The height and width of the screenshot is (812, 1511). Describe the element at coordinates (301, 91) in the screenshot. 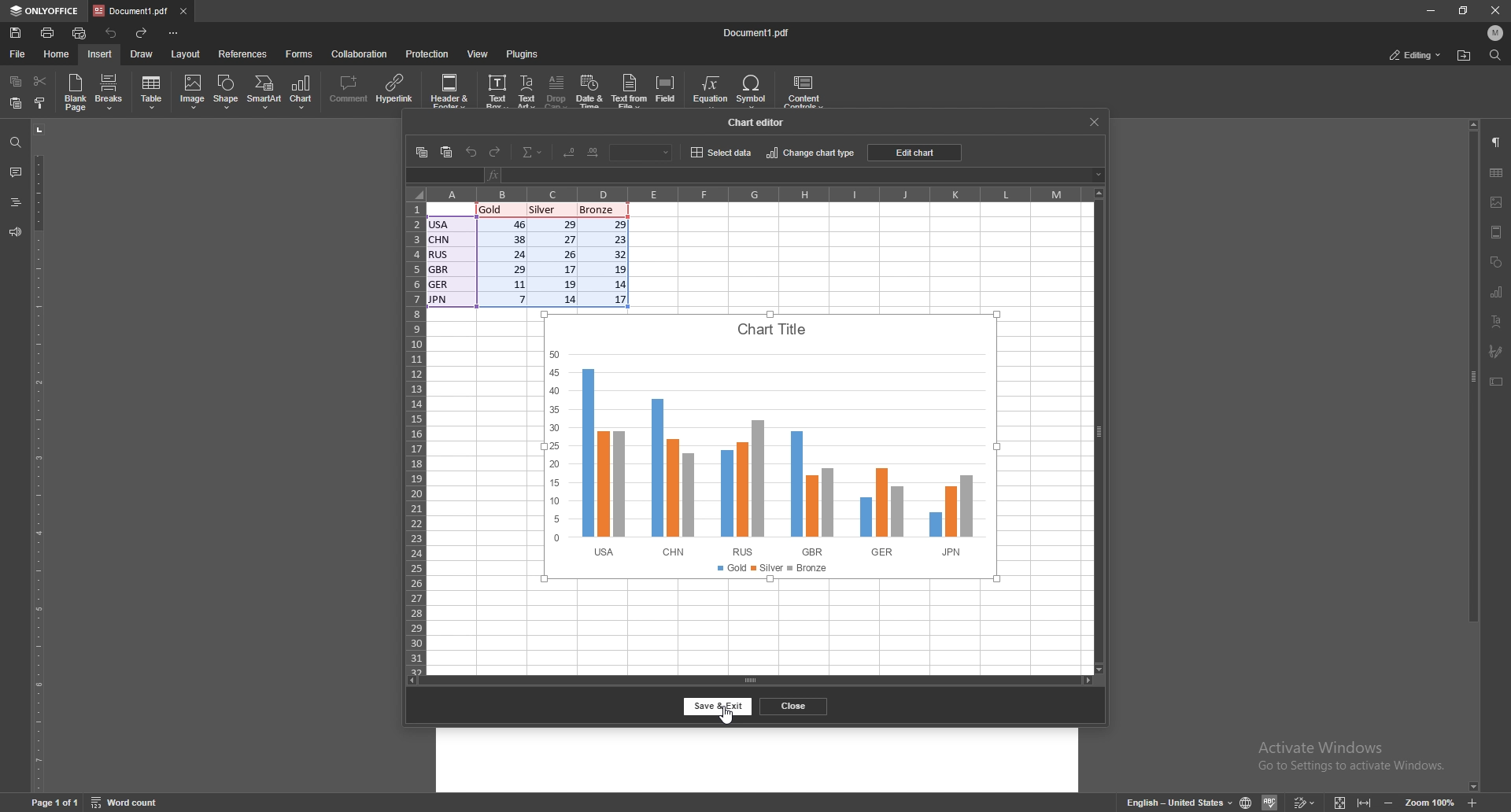

I see `chart` at that location.